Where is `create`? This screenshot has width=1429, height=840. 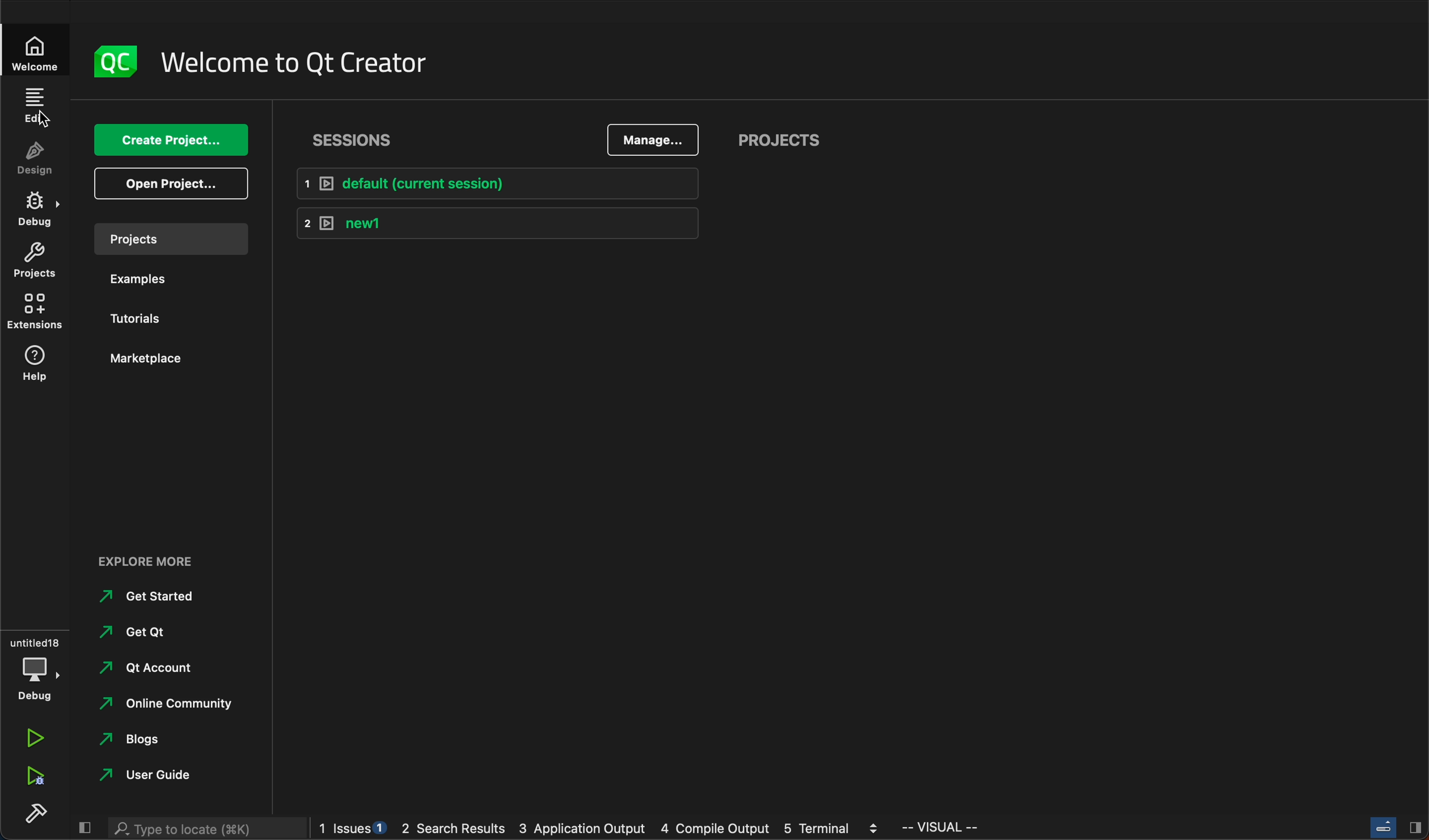 create is located at coordinates (168, 140).